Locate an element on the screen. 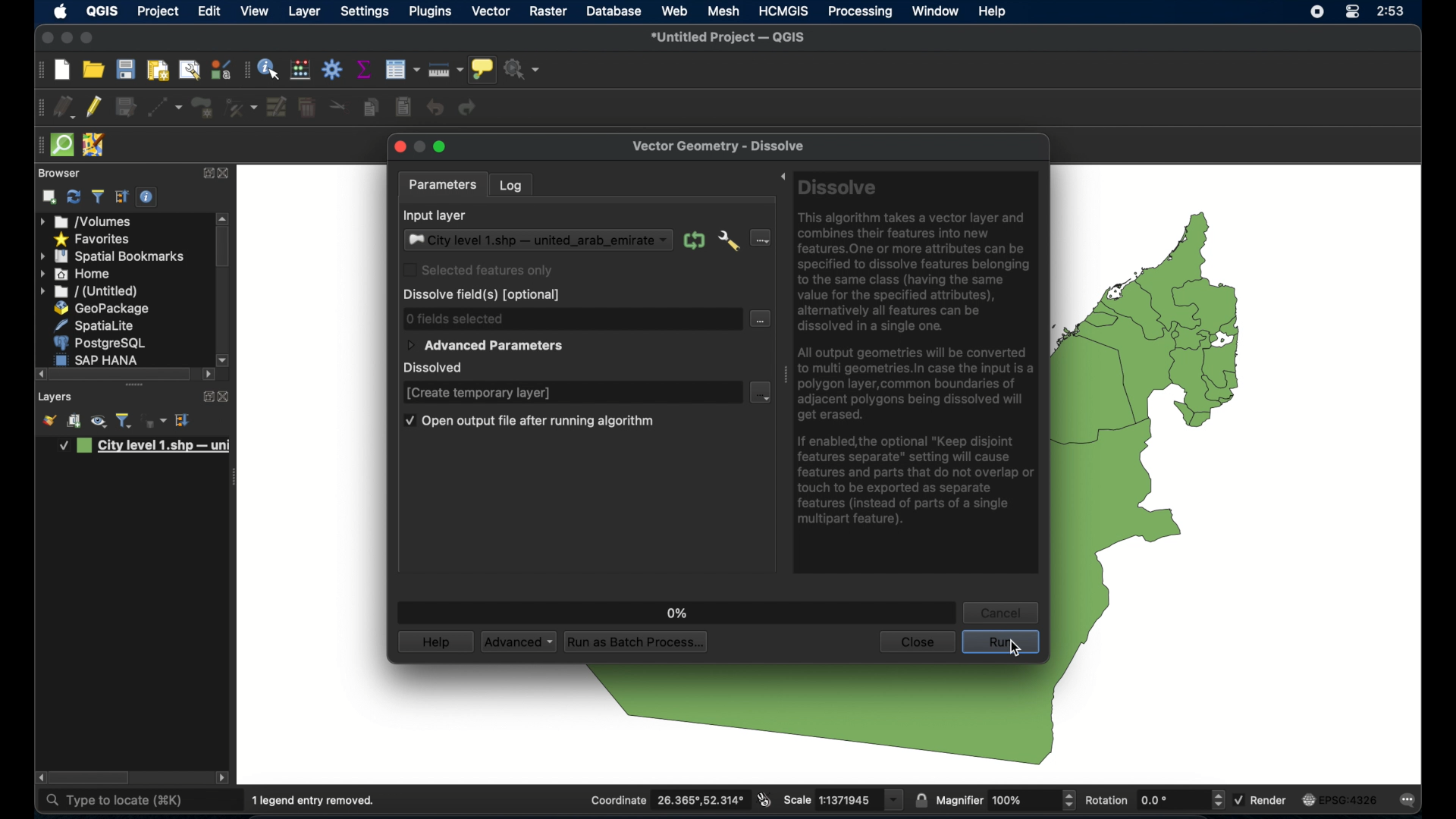 This screenshot has width=1456, height=819. [createtemporary layer] is located at coordinates (479, 394).